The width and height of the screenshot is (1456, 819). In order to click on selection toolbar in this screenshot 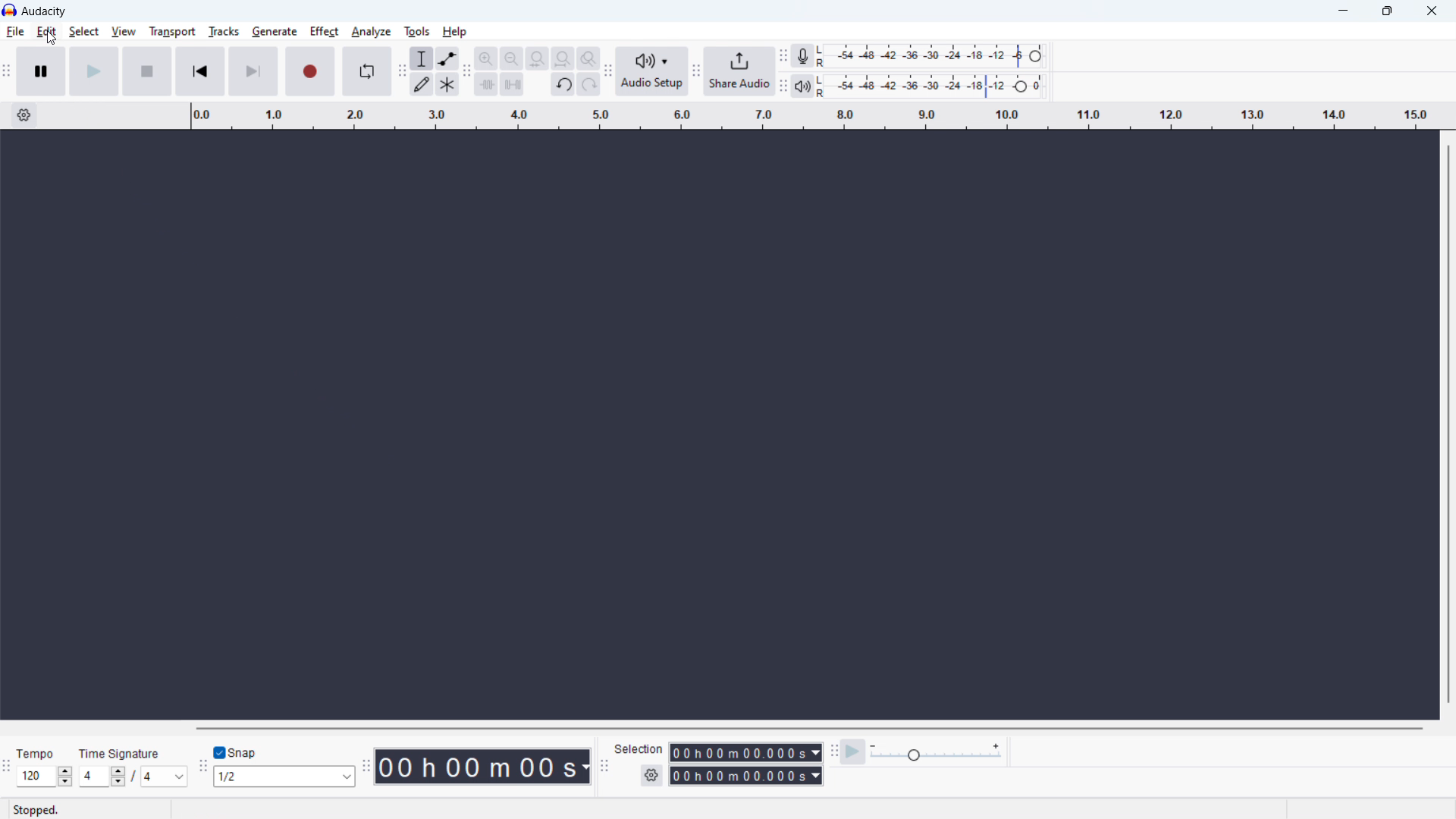, I will do `click(604, 766)`.